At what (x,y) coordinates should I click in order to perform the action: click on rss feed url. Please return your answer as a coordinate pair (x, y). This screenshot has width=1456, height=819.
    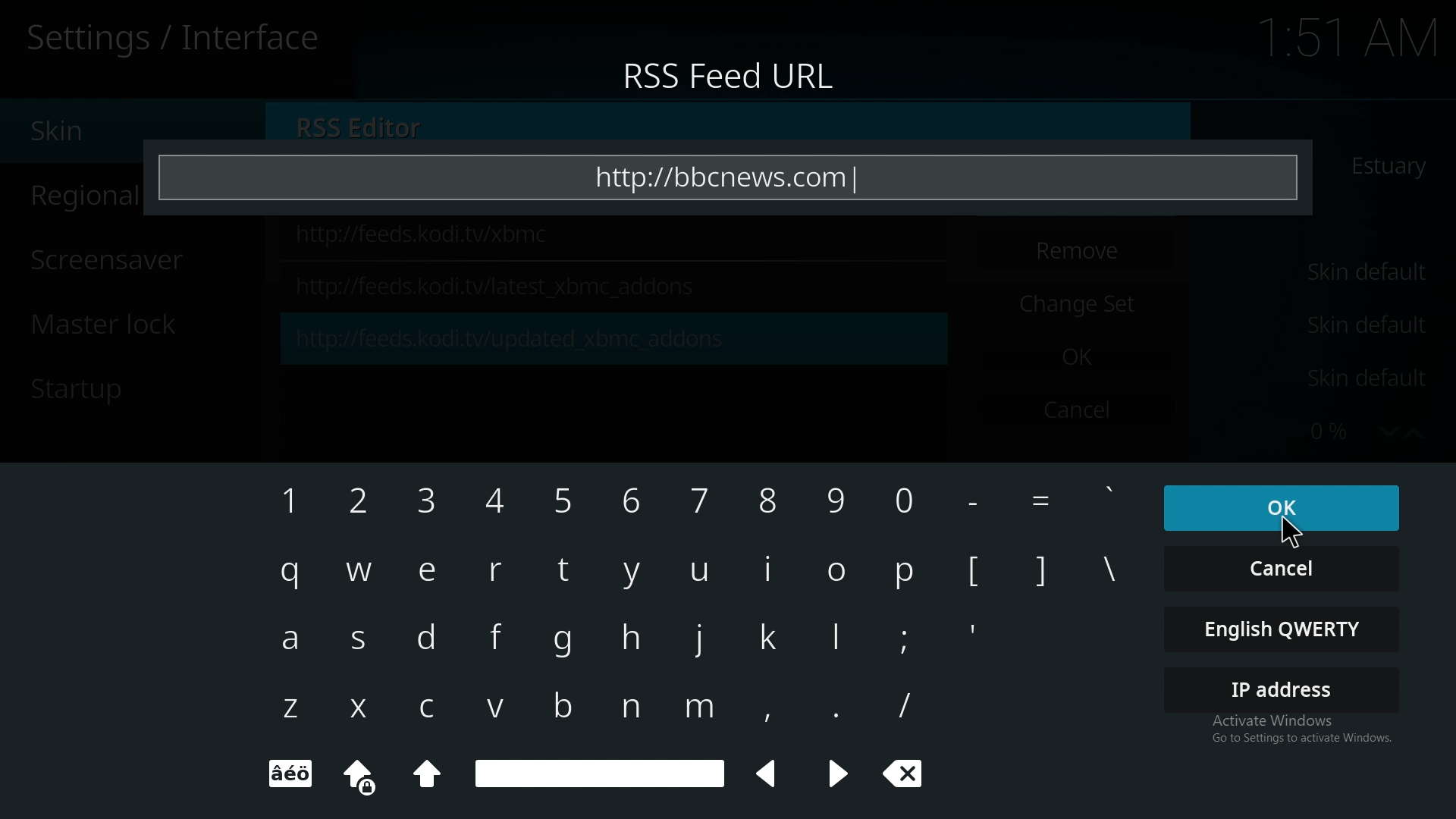
    Looking at the image, I should click on (729, 78).